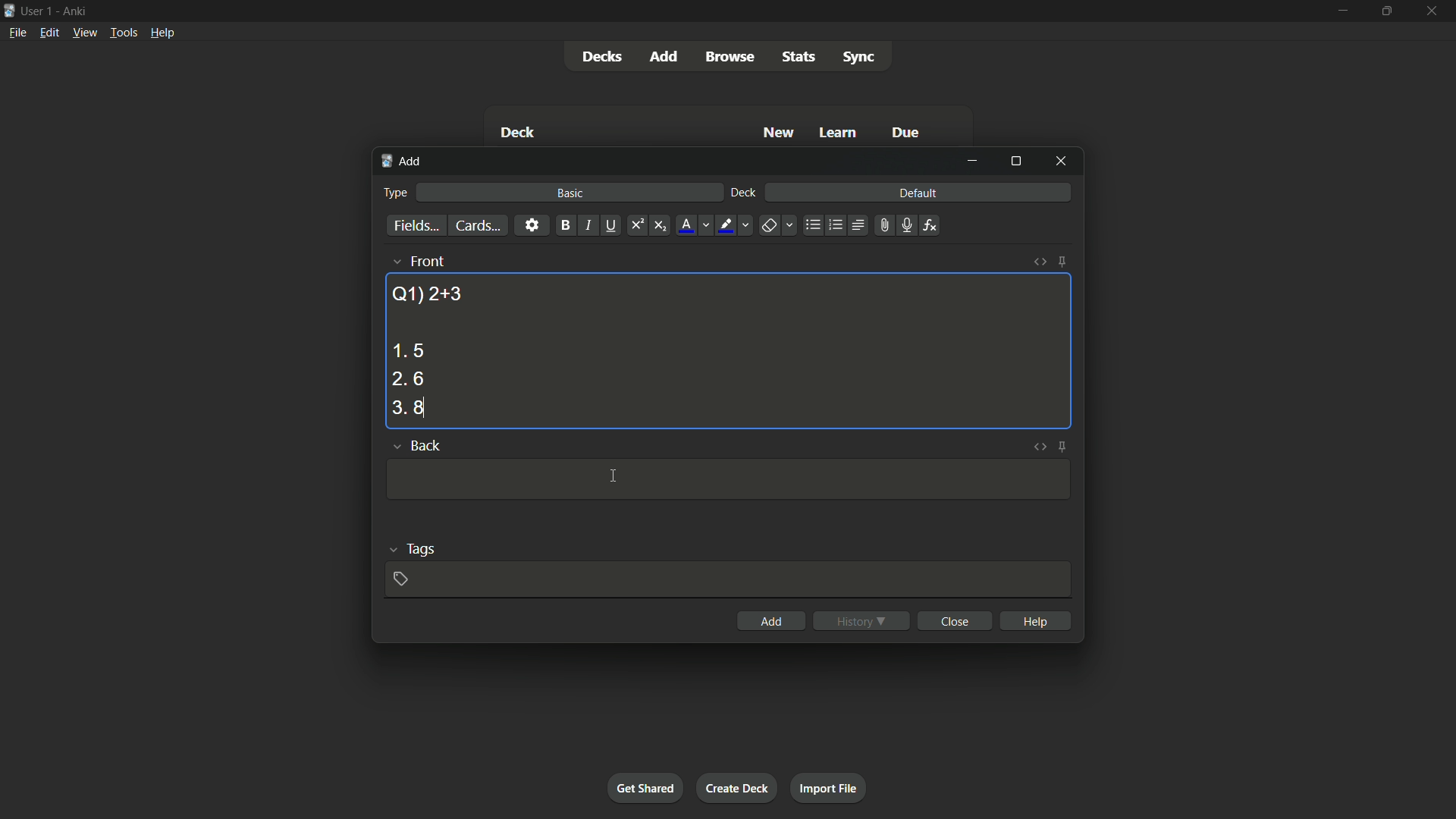  What do you see at coordinates (730, 57) in the screenshot?
I see `browse` at bounding box center [730, 57].